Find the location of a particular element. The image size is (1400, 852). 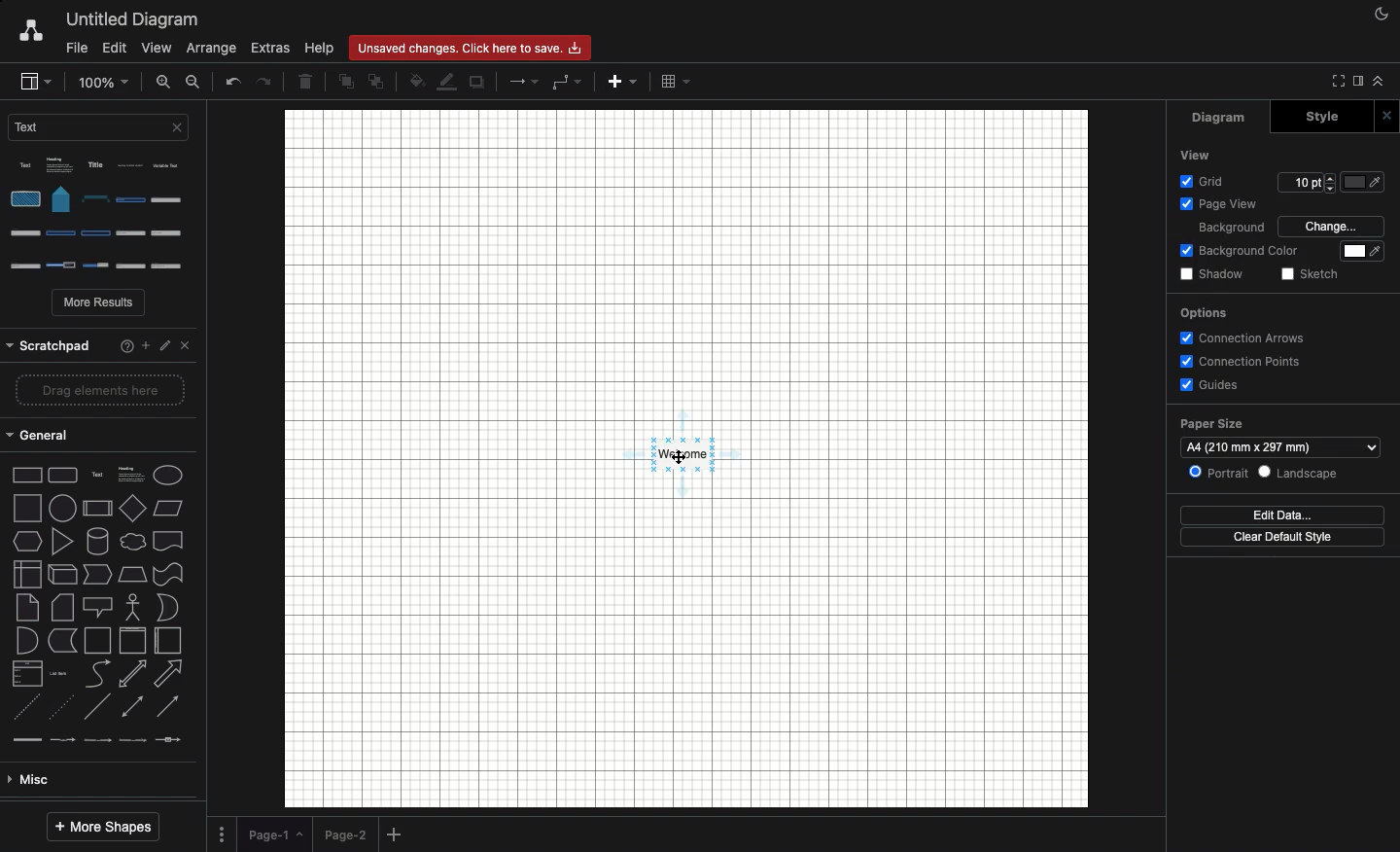

 is located at coordinates (97, 340).